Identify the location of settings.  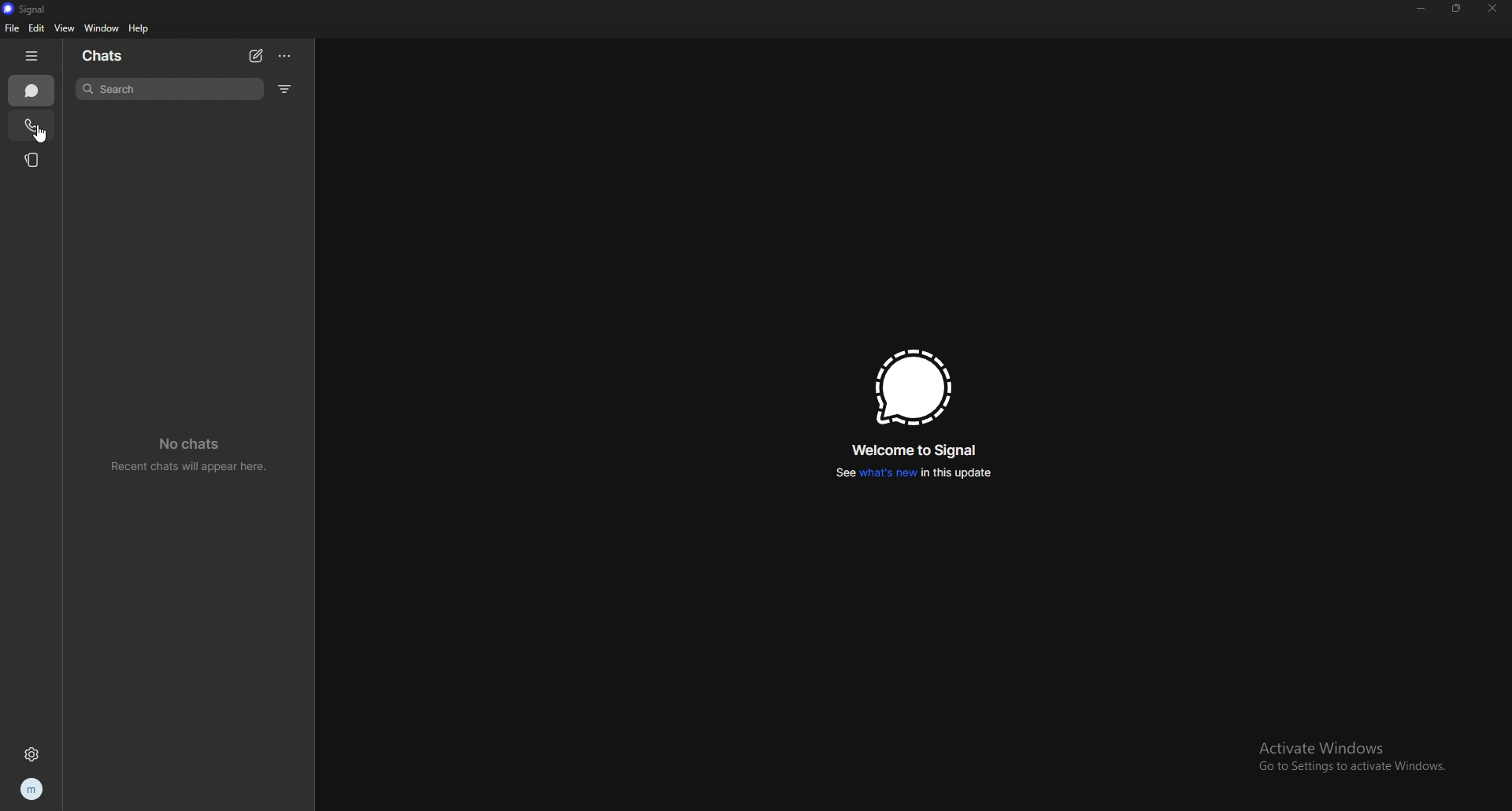
(31, 754).